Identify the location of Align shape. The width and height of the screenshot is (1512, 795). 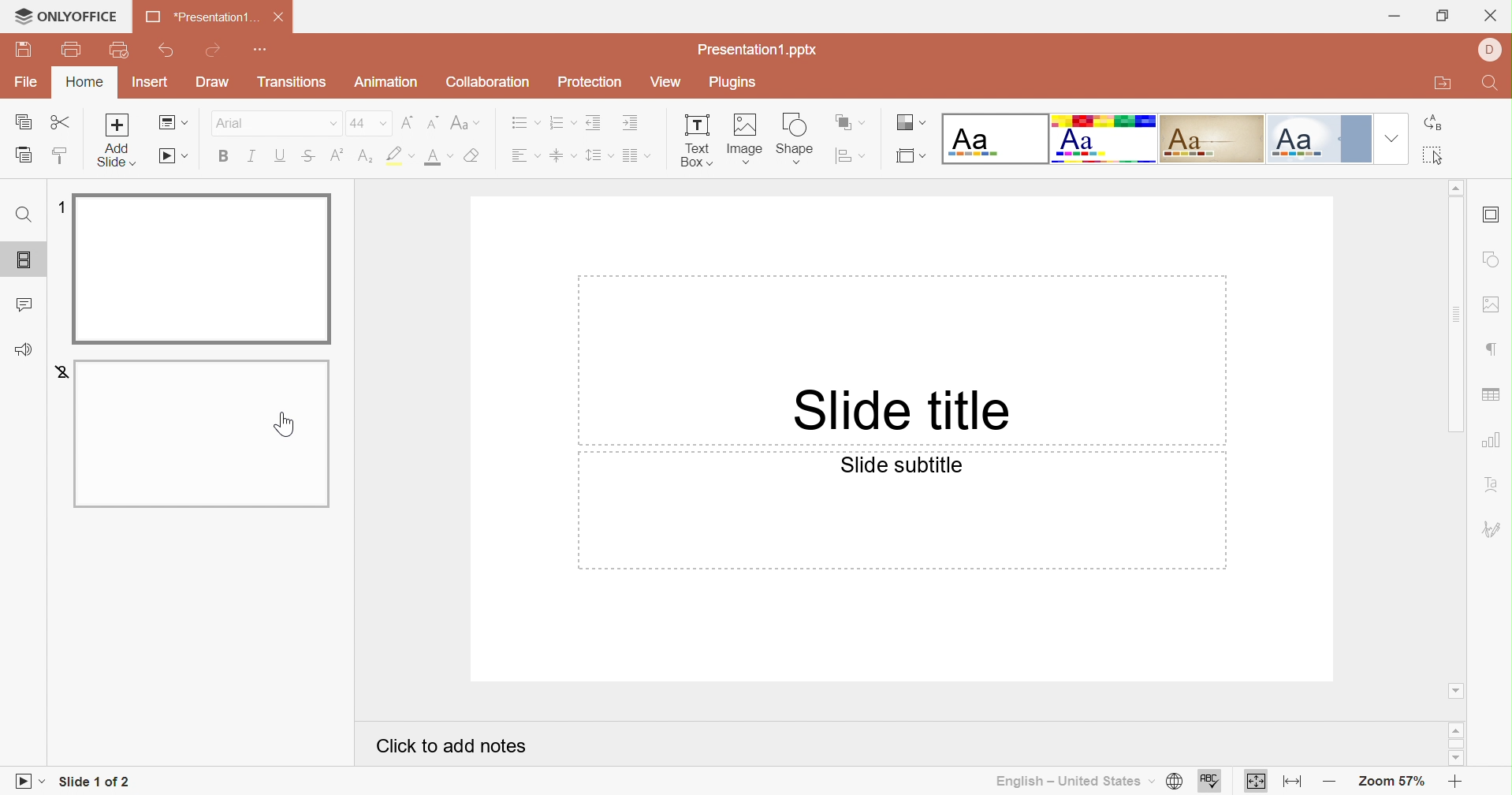
(851, 158).